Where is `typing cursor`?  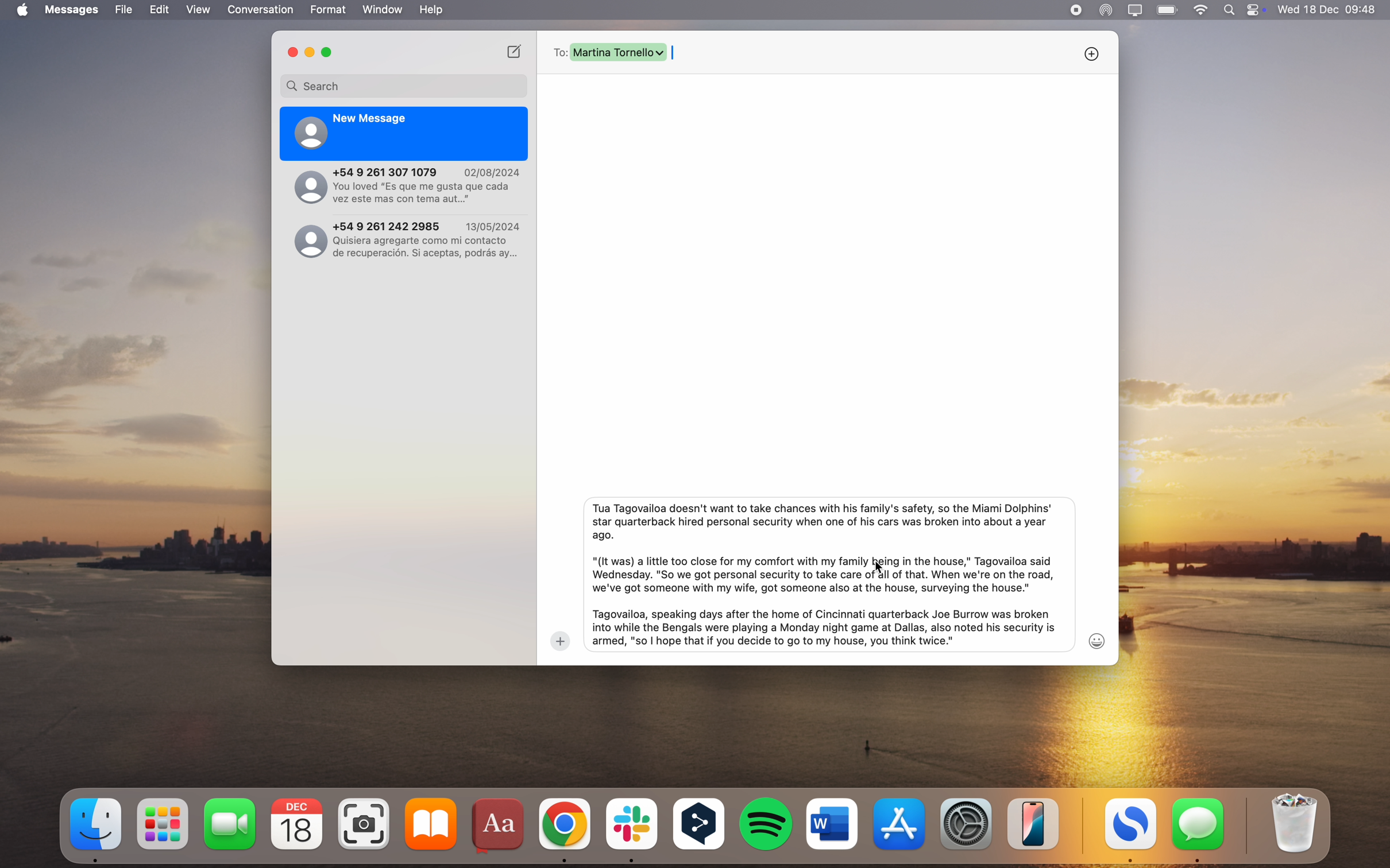 typing cursor is located at coordinates (679, 55).